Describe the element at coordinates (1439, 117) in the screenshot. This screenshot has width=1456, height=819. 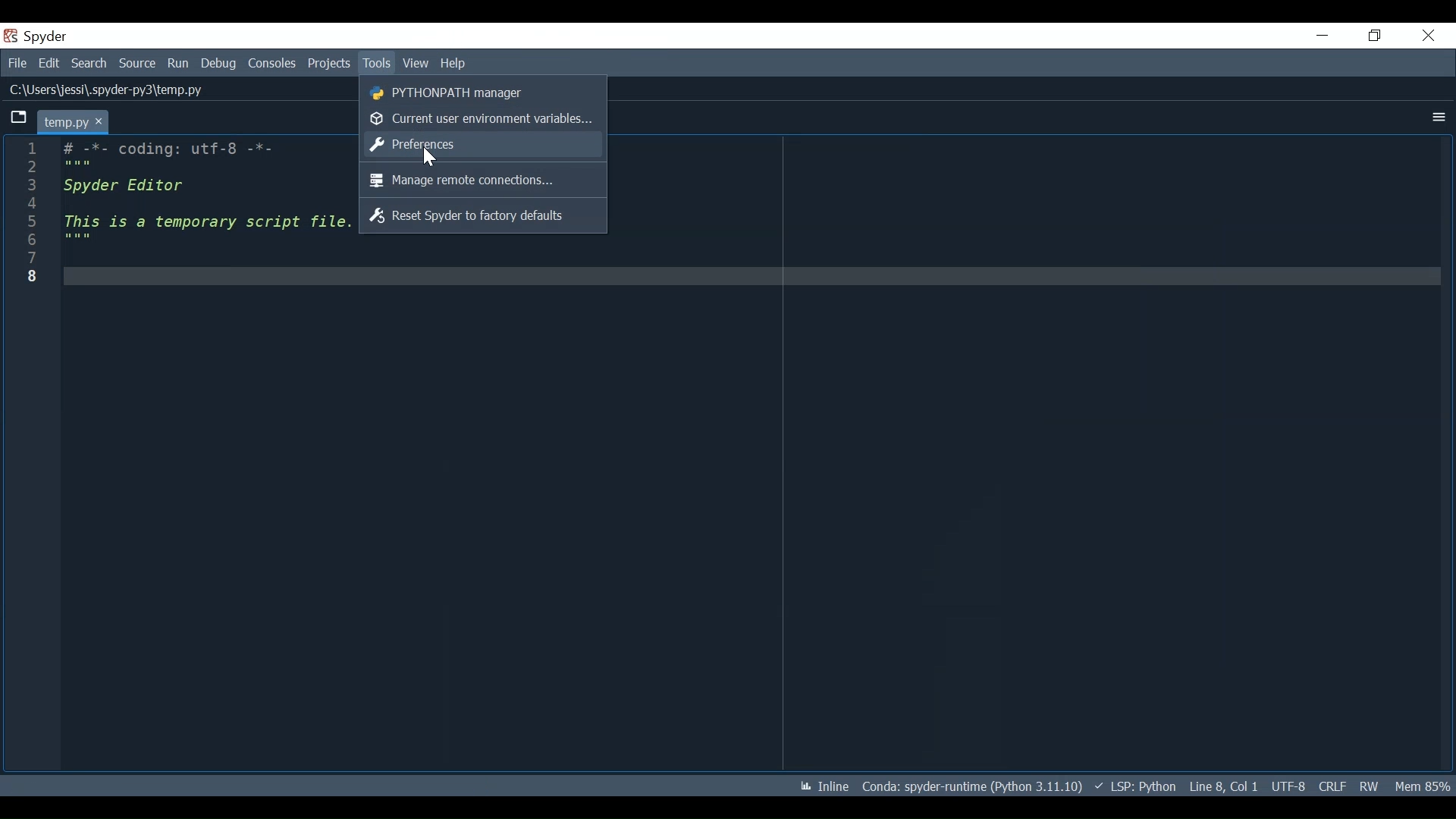
I see `More Options` at that location.